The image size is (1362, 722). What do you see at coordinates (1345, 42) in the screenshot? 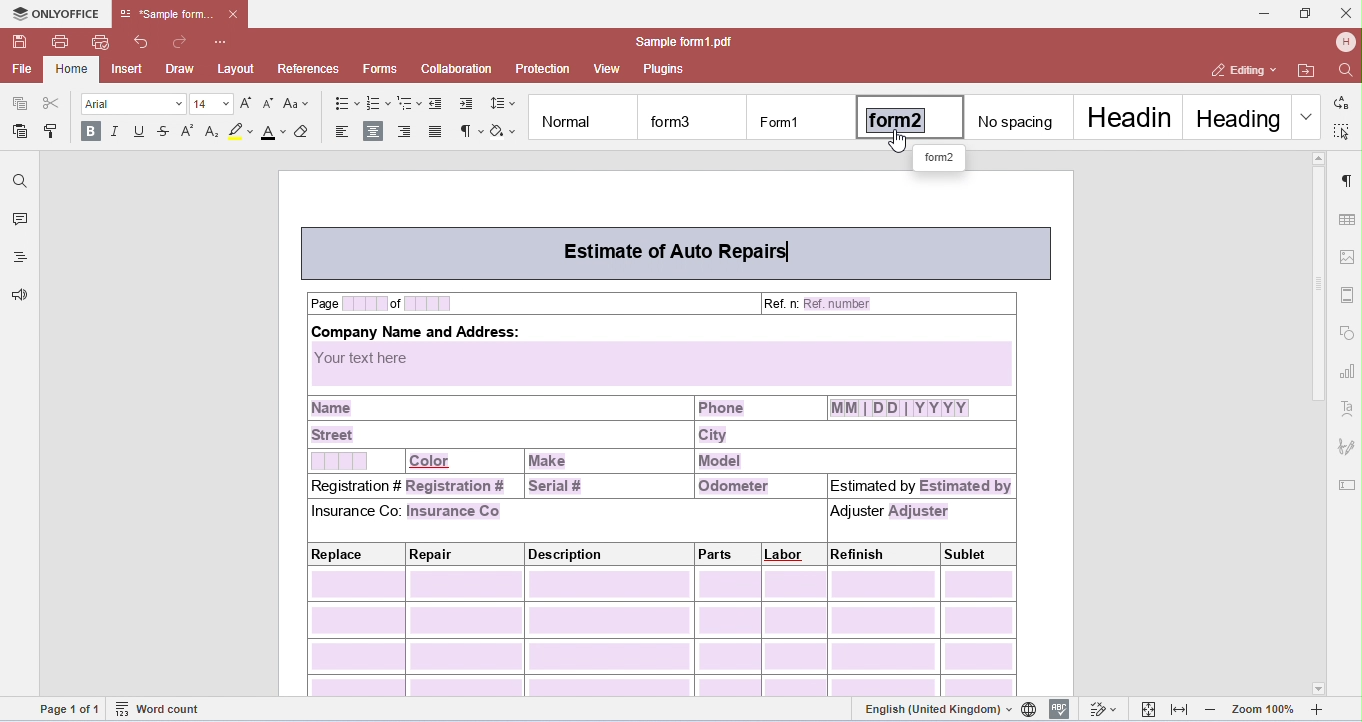
I see `account` at bounding box center [1345, 42].